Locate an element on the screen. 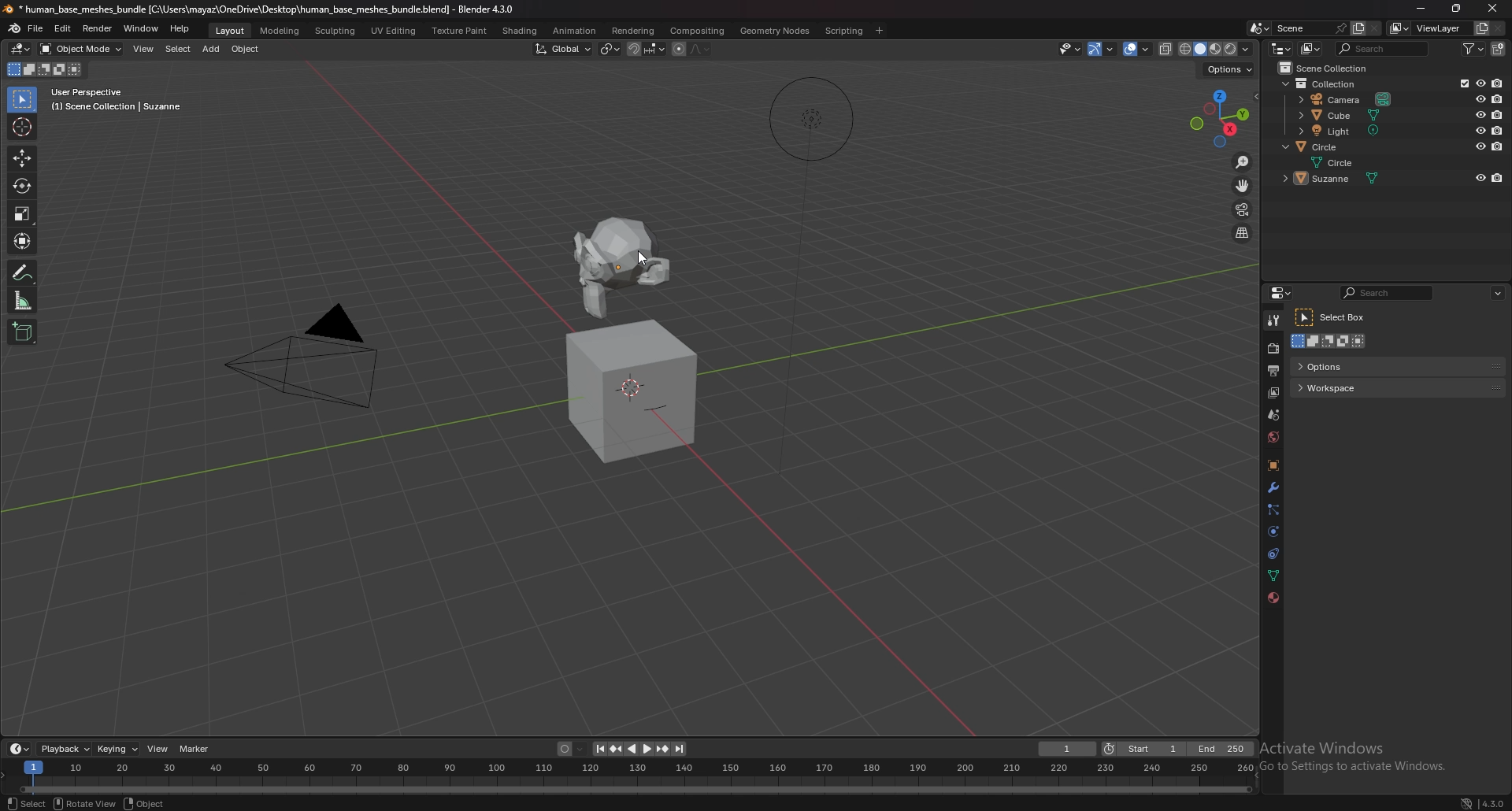  render is located at coordinates (97, 28).